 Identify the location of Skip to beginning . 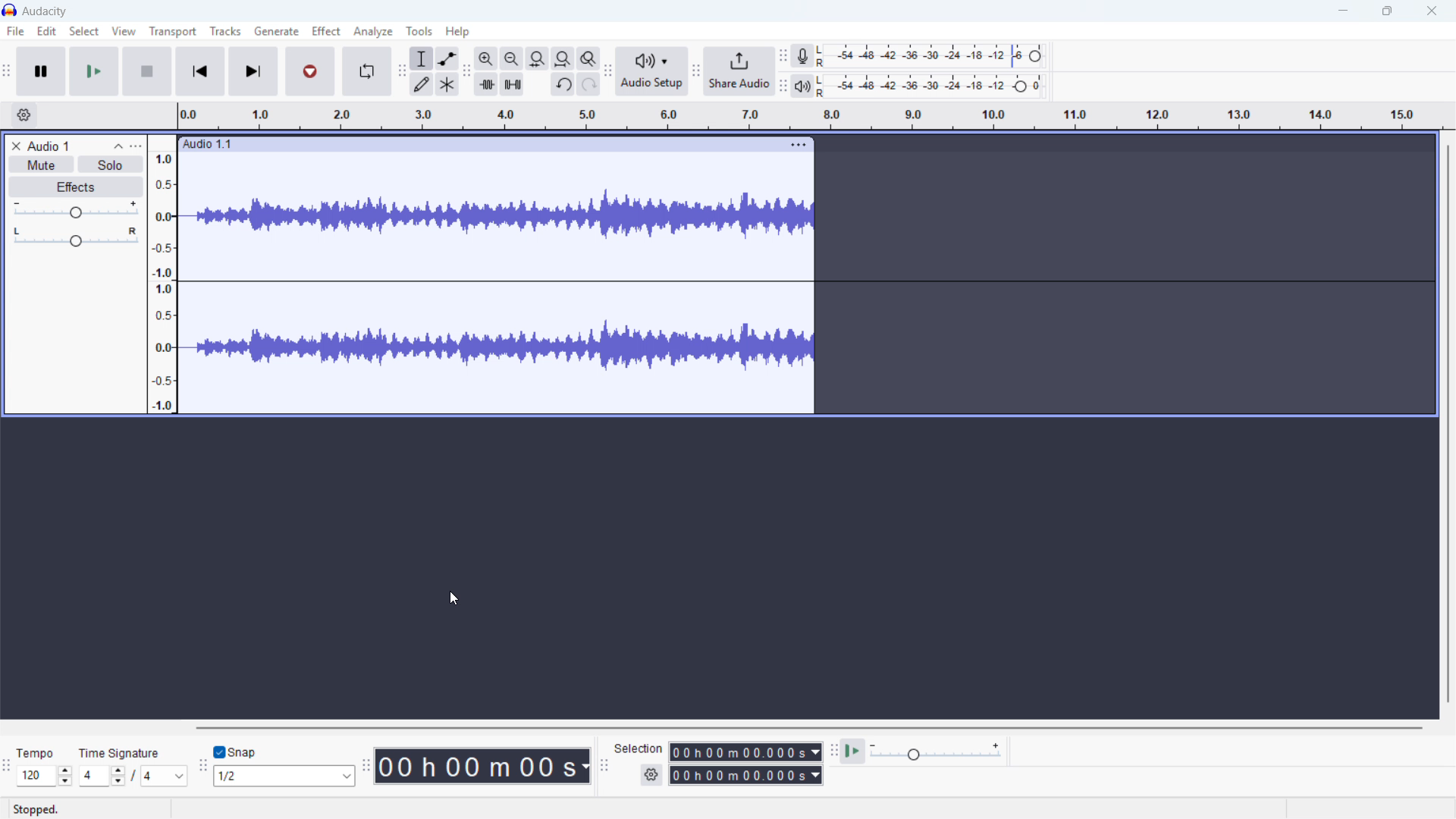
(200, 71).